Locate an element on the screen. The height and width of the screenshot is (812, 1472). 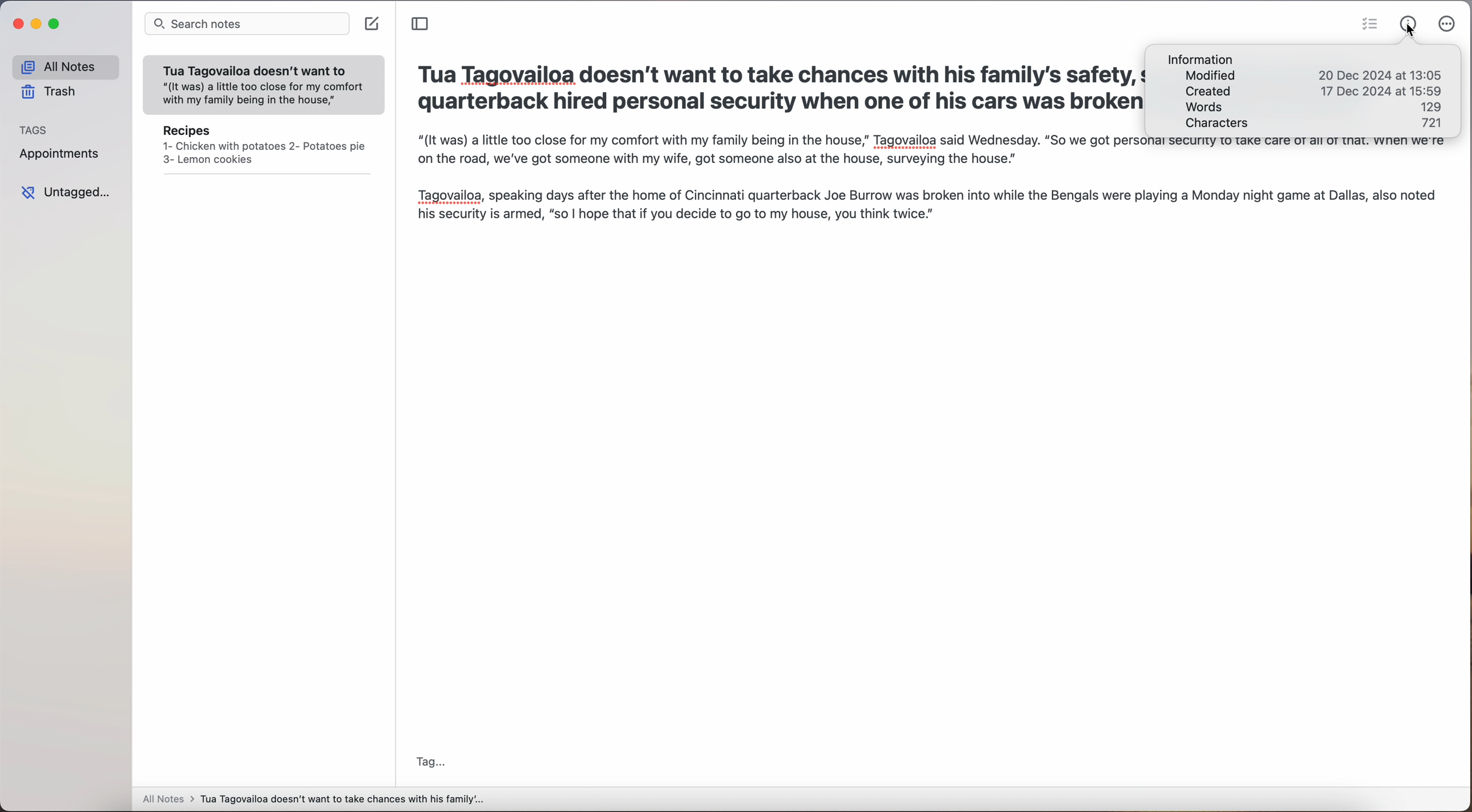
create note is located at coordinates (373, 24).